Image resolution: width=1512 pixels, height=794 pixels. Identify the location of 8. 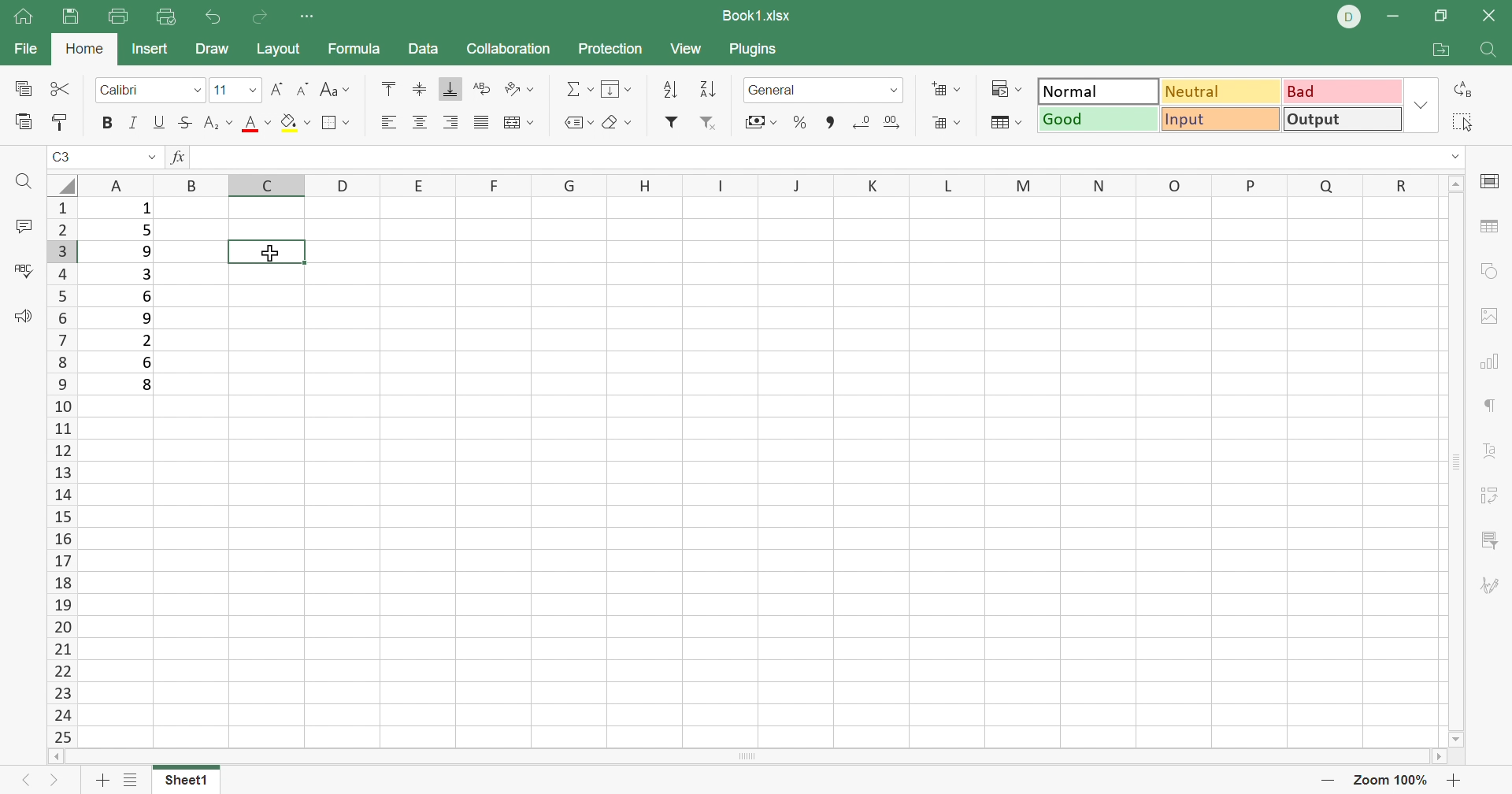
(150, 386).